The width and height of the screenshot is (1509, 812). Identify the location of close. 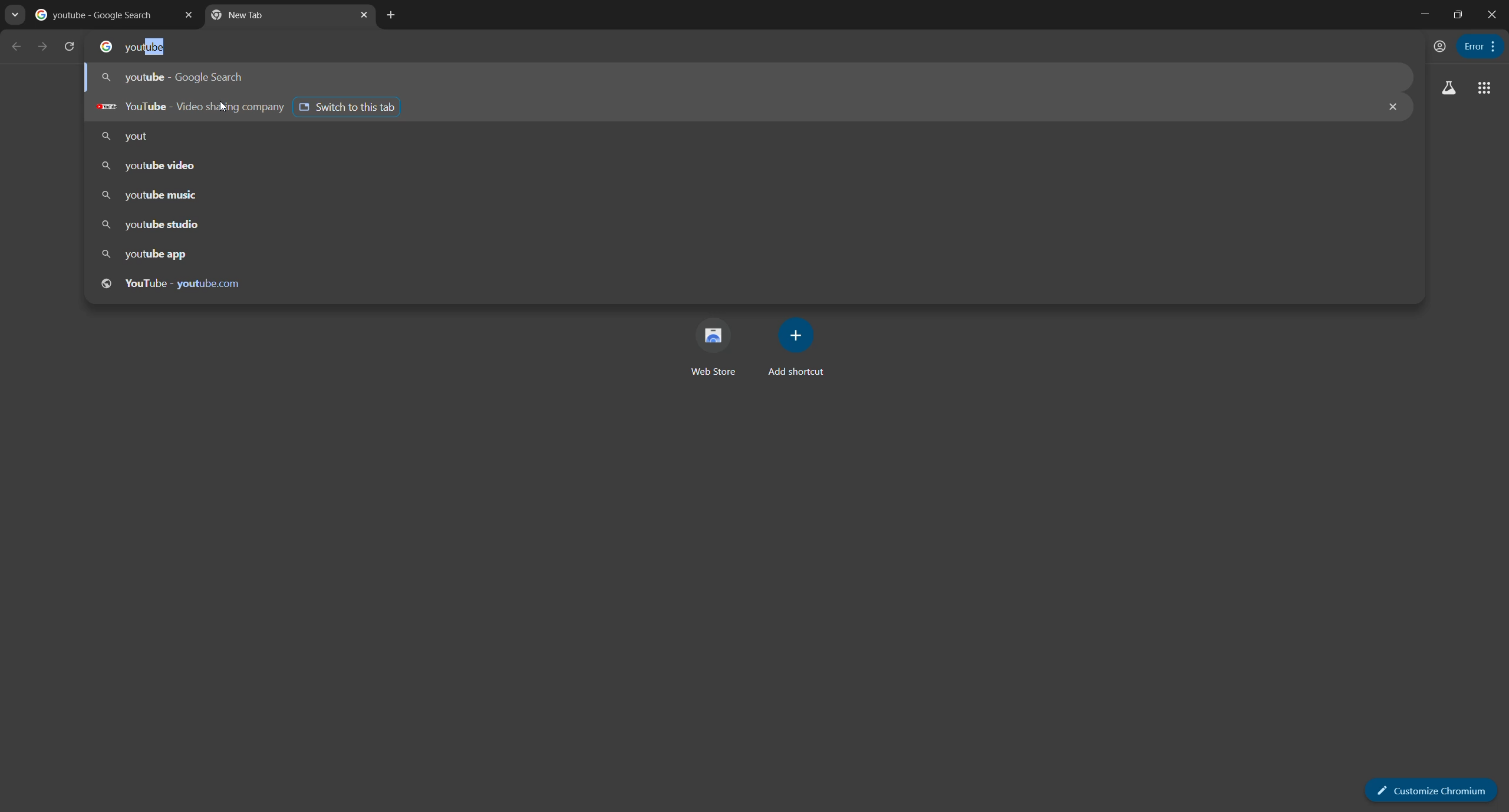
(187, 16).